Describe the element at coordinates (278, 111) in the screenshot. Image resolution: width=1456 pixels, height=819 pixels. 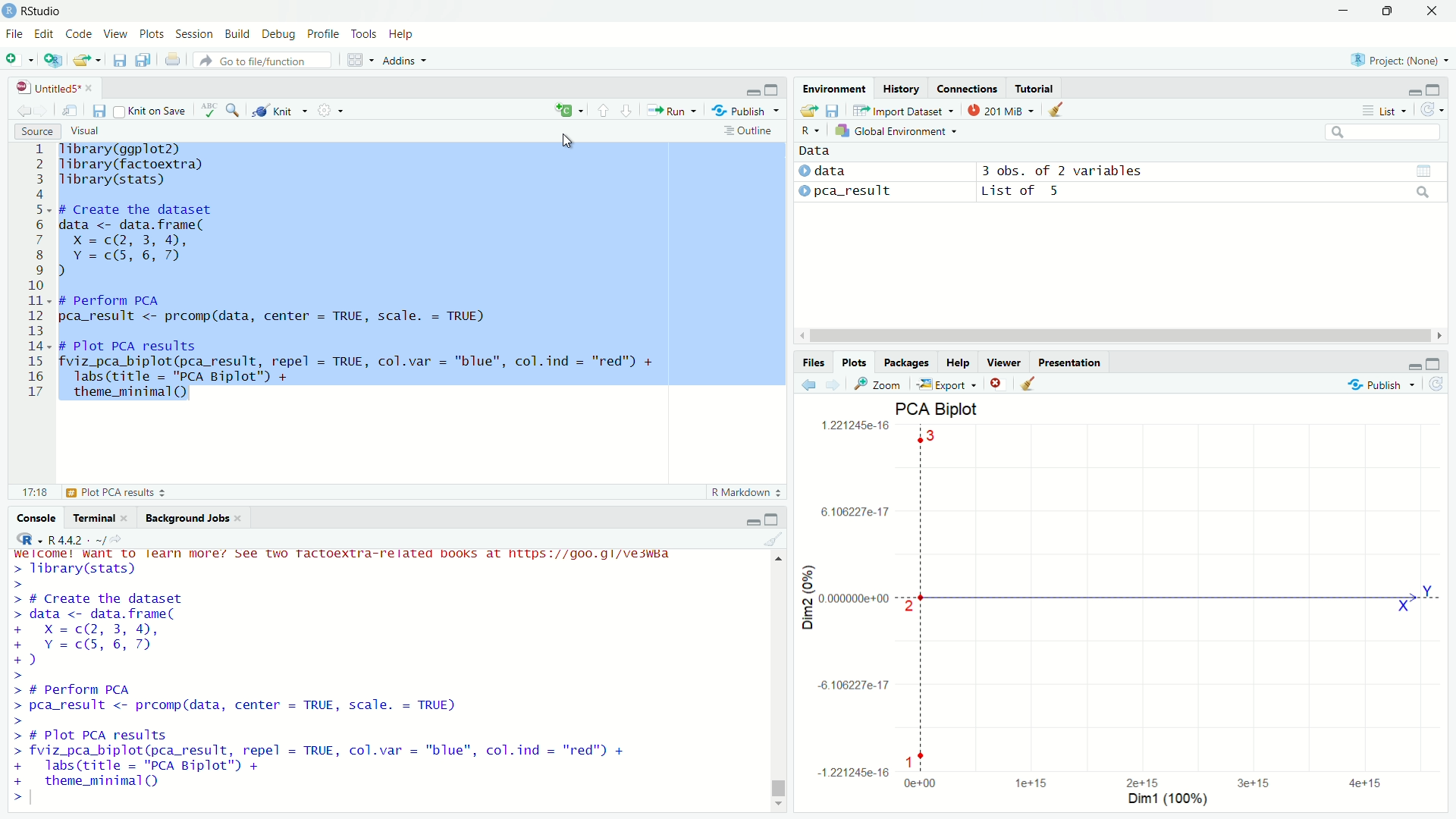
I see `knit` at that location.